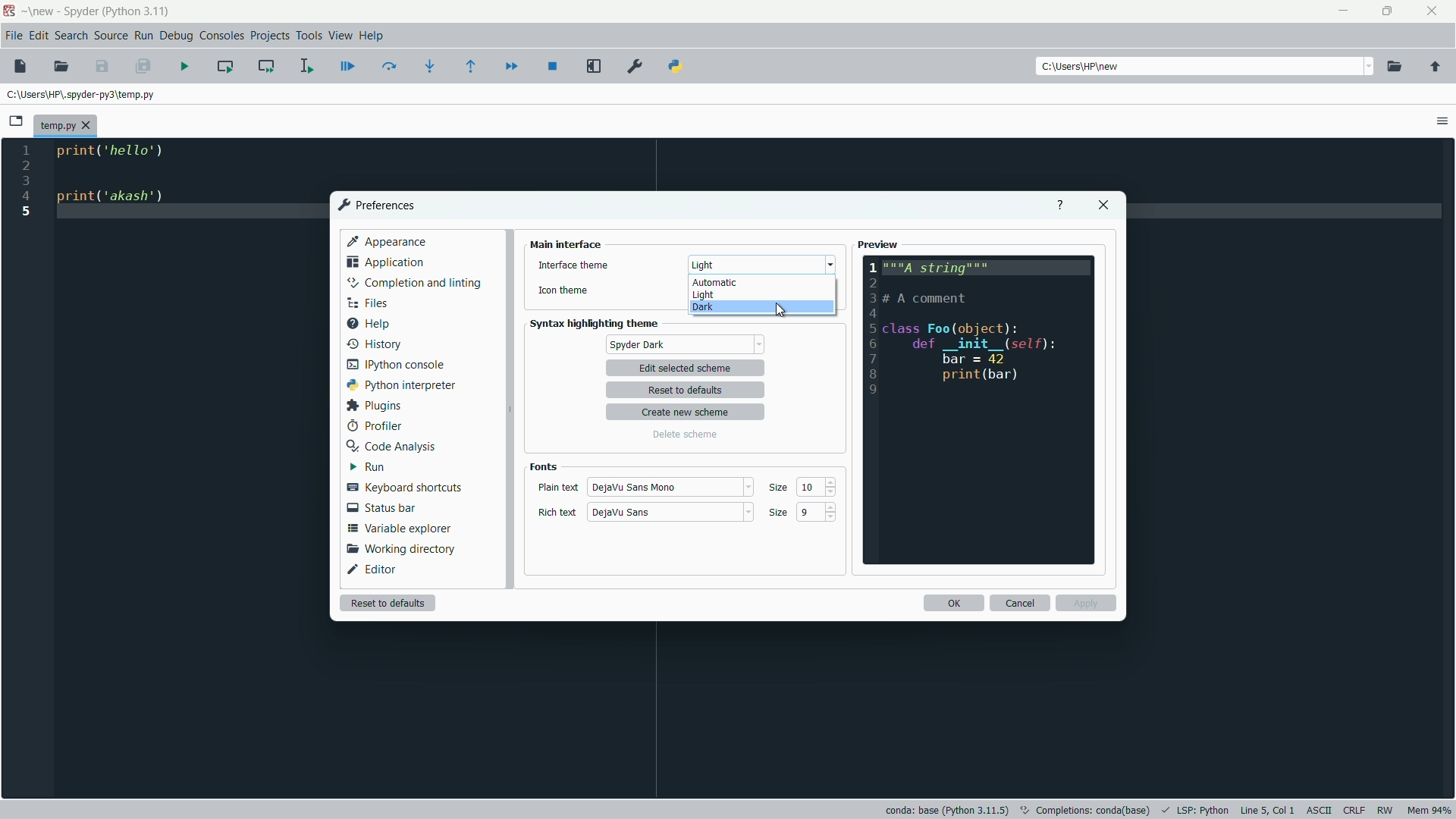 The height and width of the screenshot is (819, 1456). What do you see at coordinates (306, 64) in the screenshot?
I see `run selection` at bounding box center [306, 64].